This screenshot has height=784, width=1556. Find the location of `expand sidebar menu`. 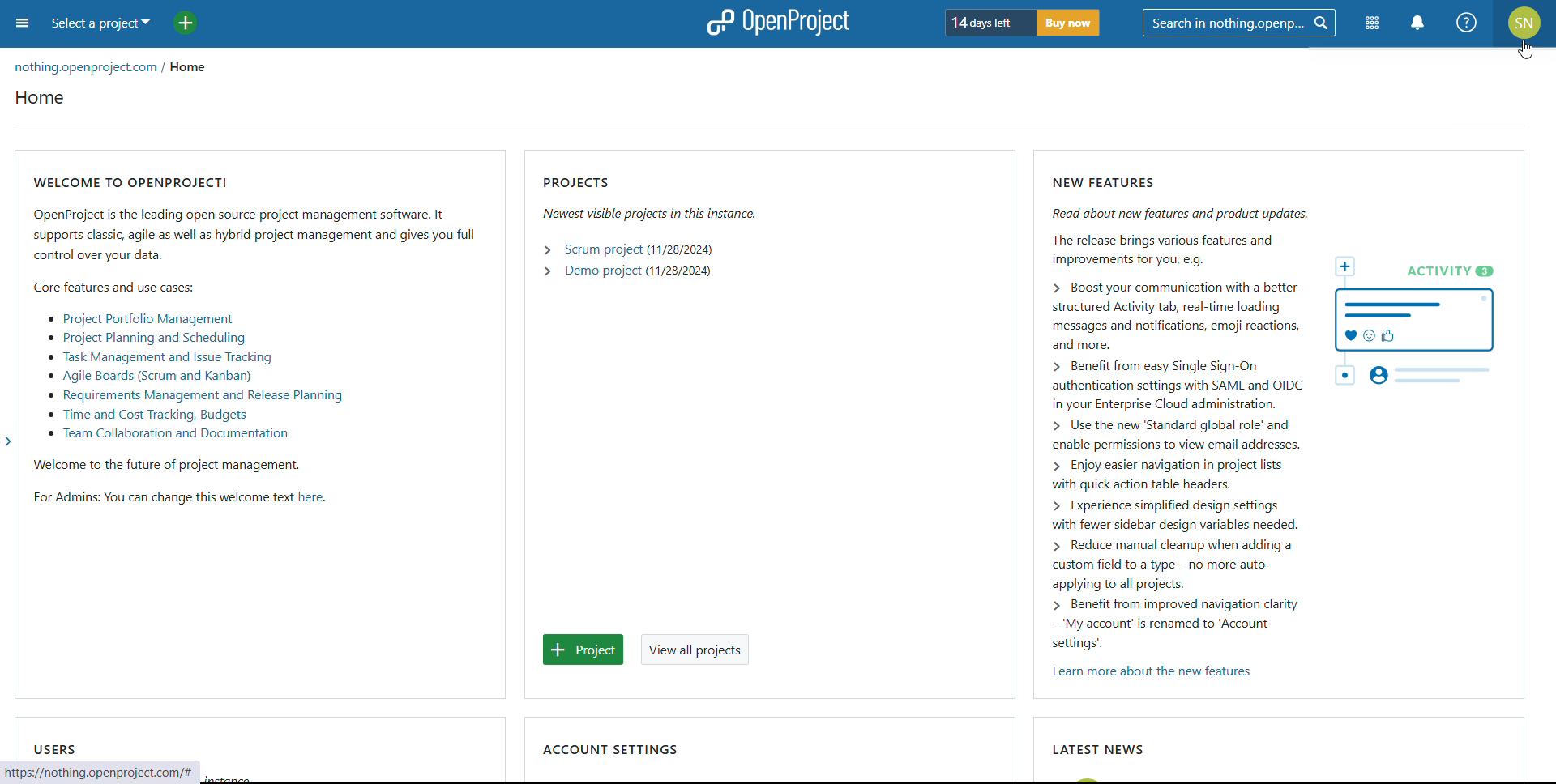

expand sidebar menu is located at coordinates (13, 448).